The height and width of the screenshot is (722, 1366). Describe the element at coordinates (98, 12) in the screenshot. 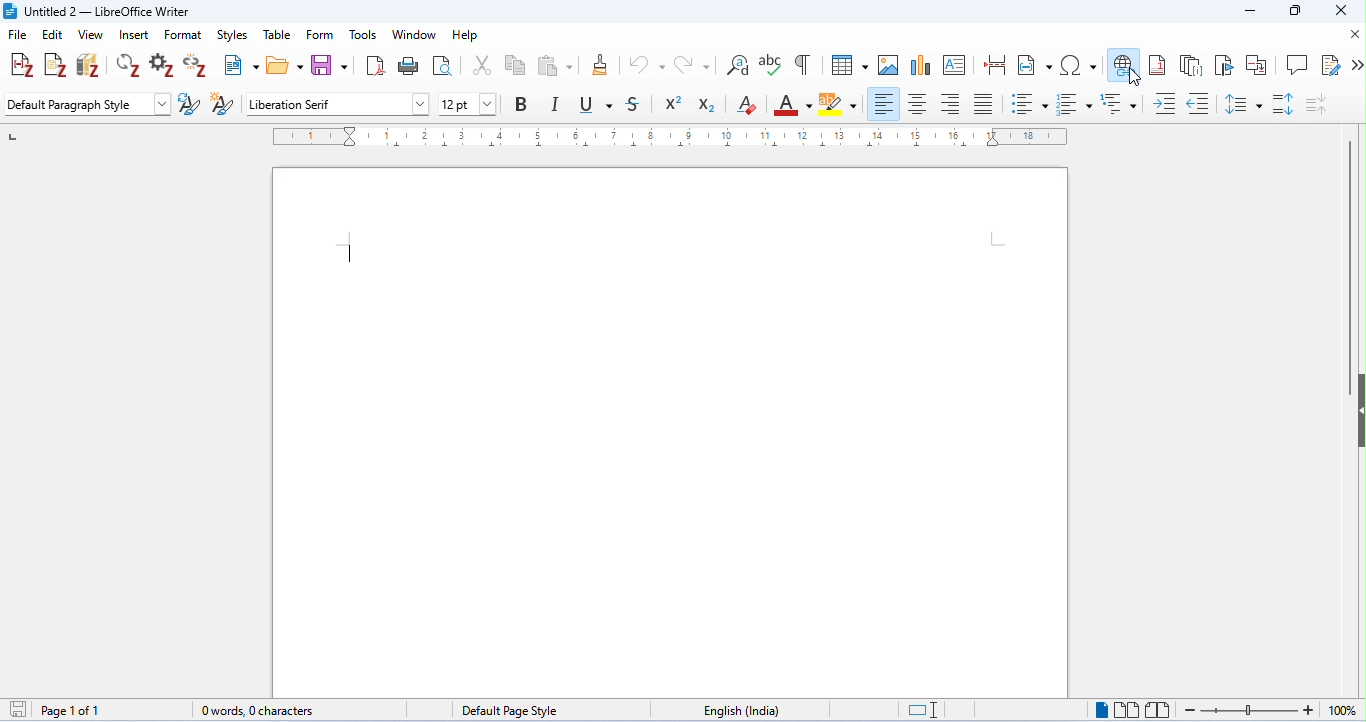

I see `title` at that location.